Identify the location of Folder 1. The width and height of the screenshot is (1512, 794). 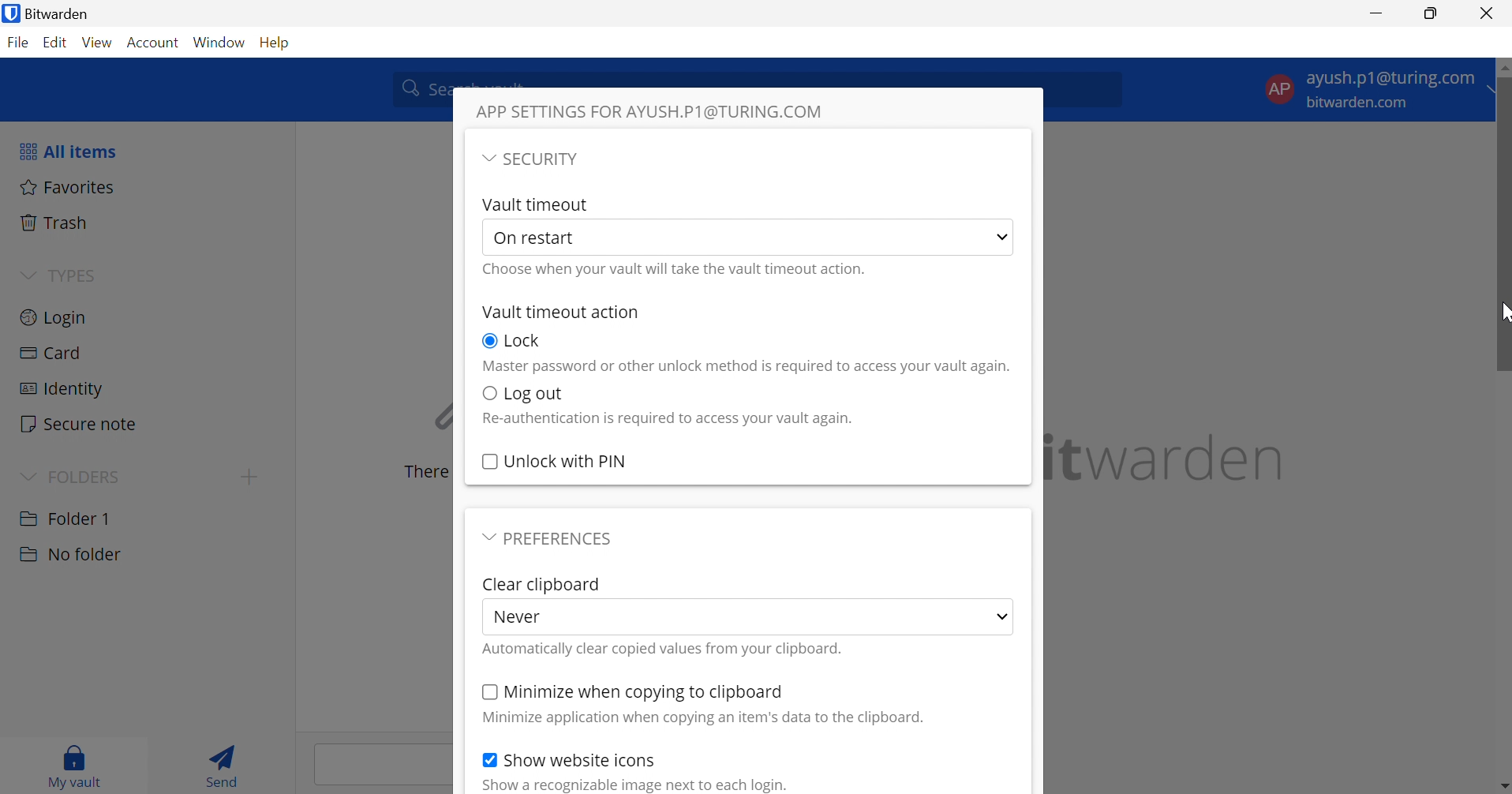
(65, 517).